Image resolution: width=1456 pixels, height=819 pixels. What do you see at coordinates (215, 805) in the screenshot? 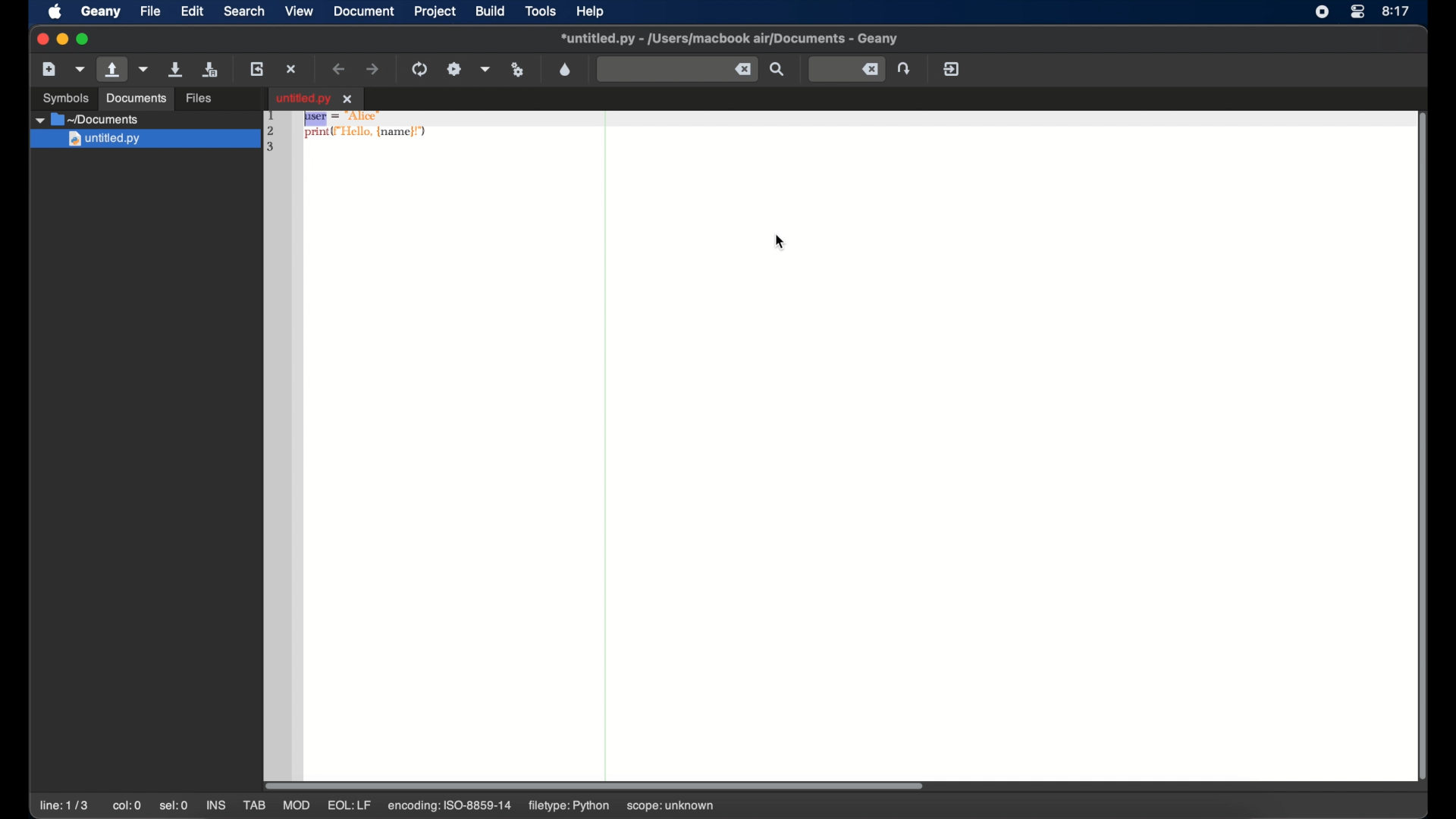
I see `ins` at bounding box center [215, 805].